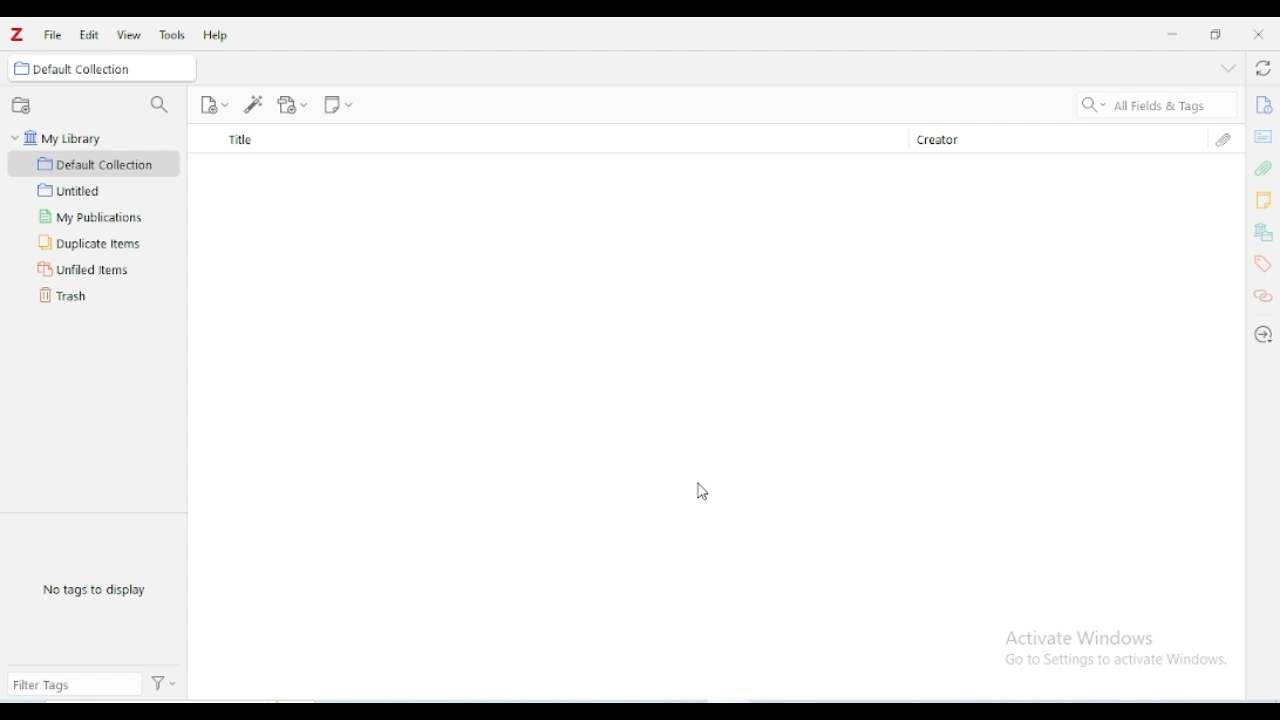 The image size is (1280, 720). Describe the element at coordinates (546, 139) in the screenshot. I see `title` at that location.